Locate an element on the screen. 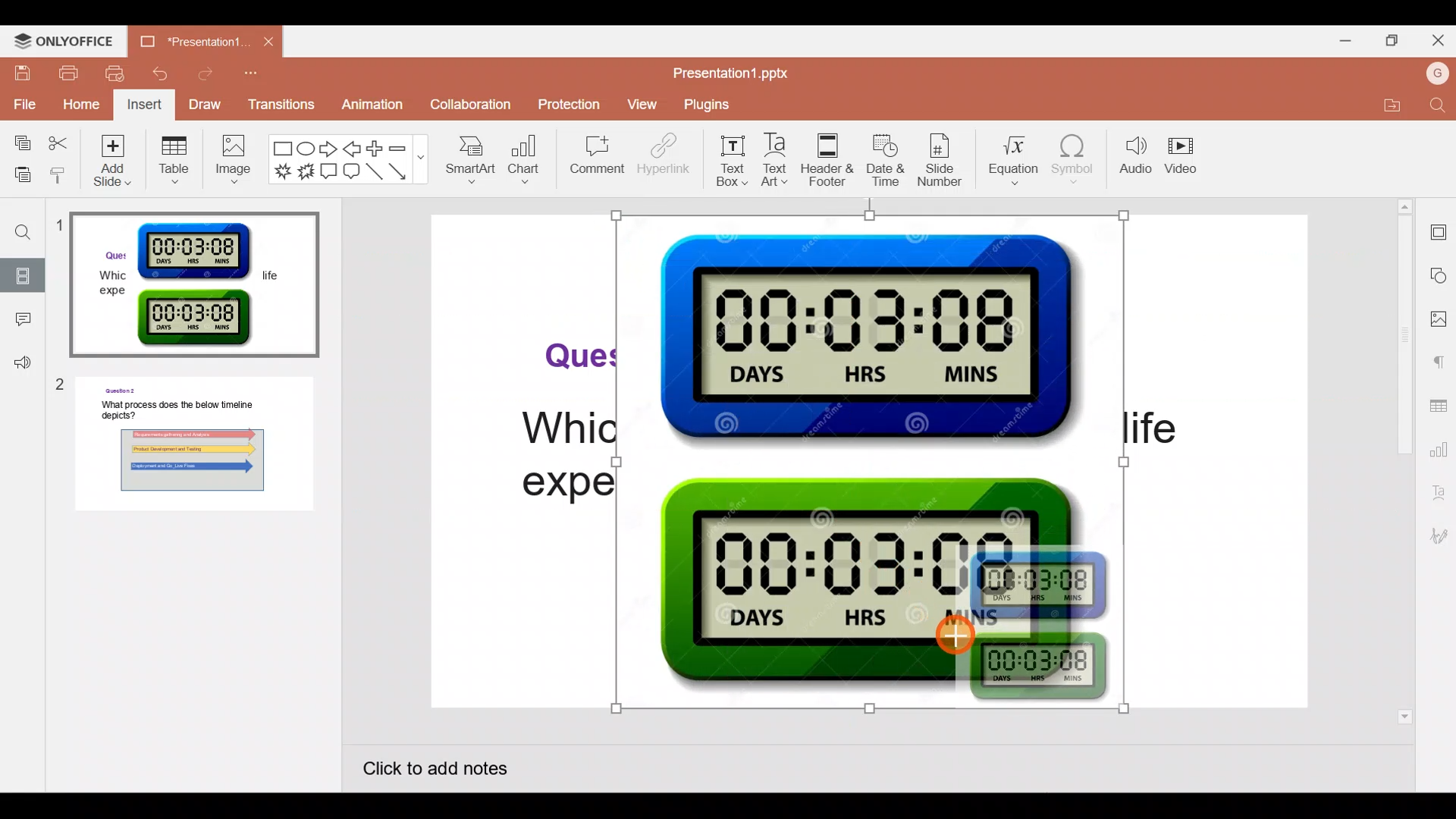 The image size is (1456, 819). Text box is located at coordinates (730, 158).